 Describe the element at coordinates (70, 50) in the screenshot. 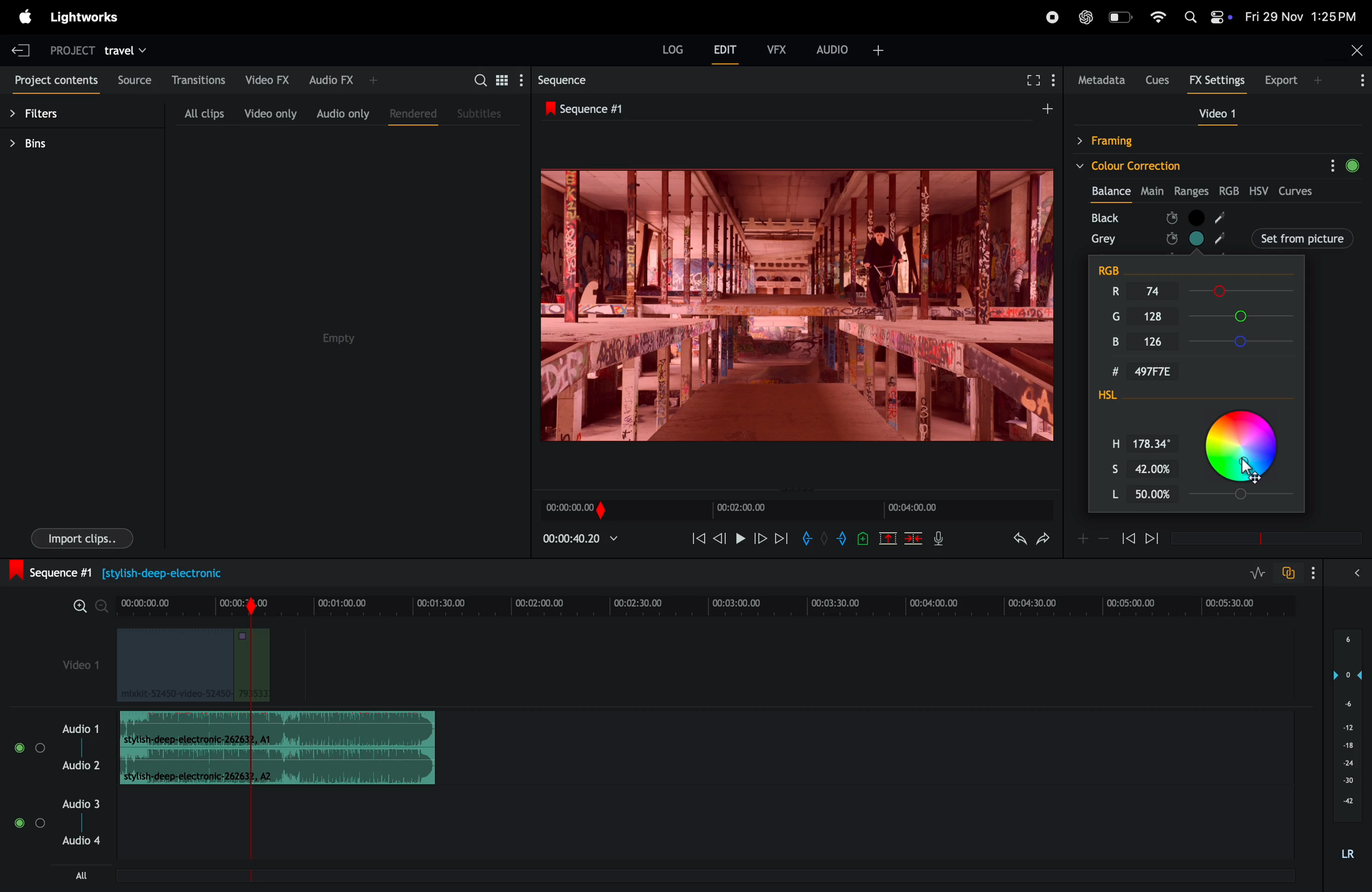

I see `project` at that location.